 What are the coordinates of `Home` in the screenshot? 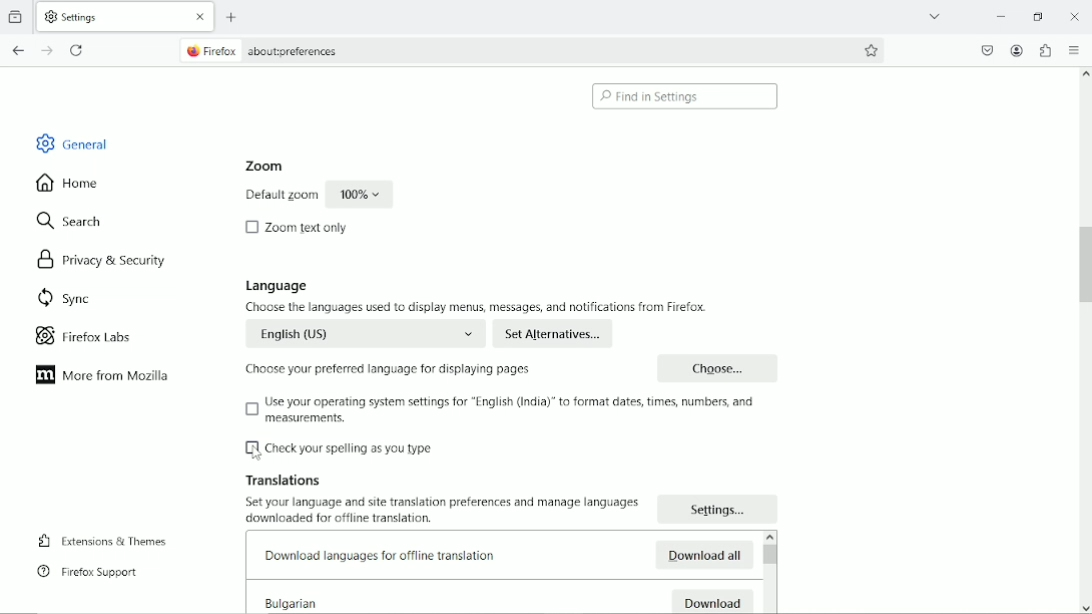 It's located at (68, 183).